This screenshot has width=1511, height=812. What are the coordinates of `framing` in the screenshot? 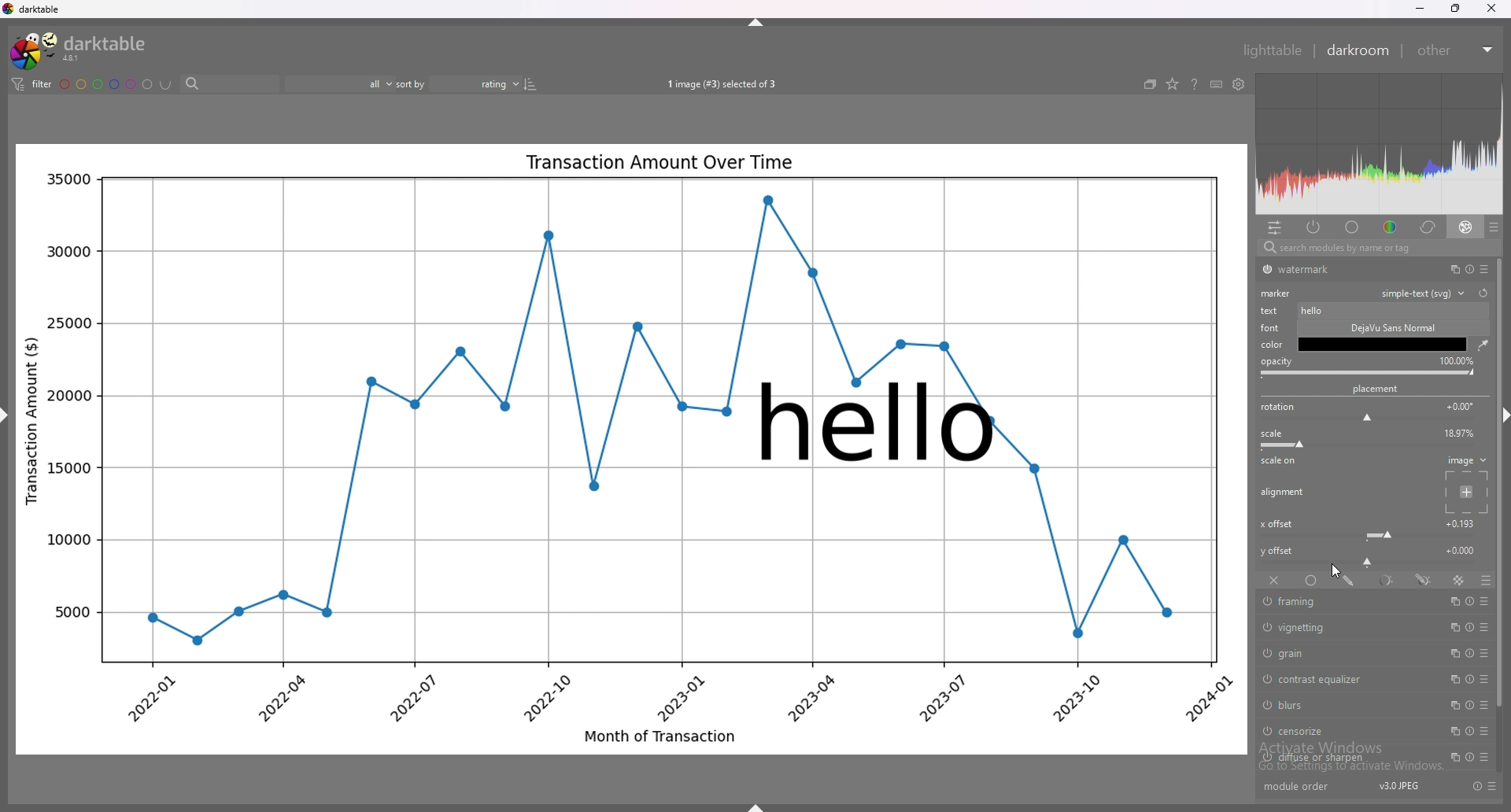 It's located at (1346, 602).